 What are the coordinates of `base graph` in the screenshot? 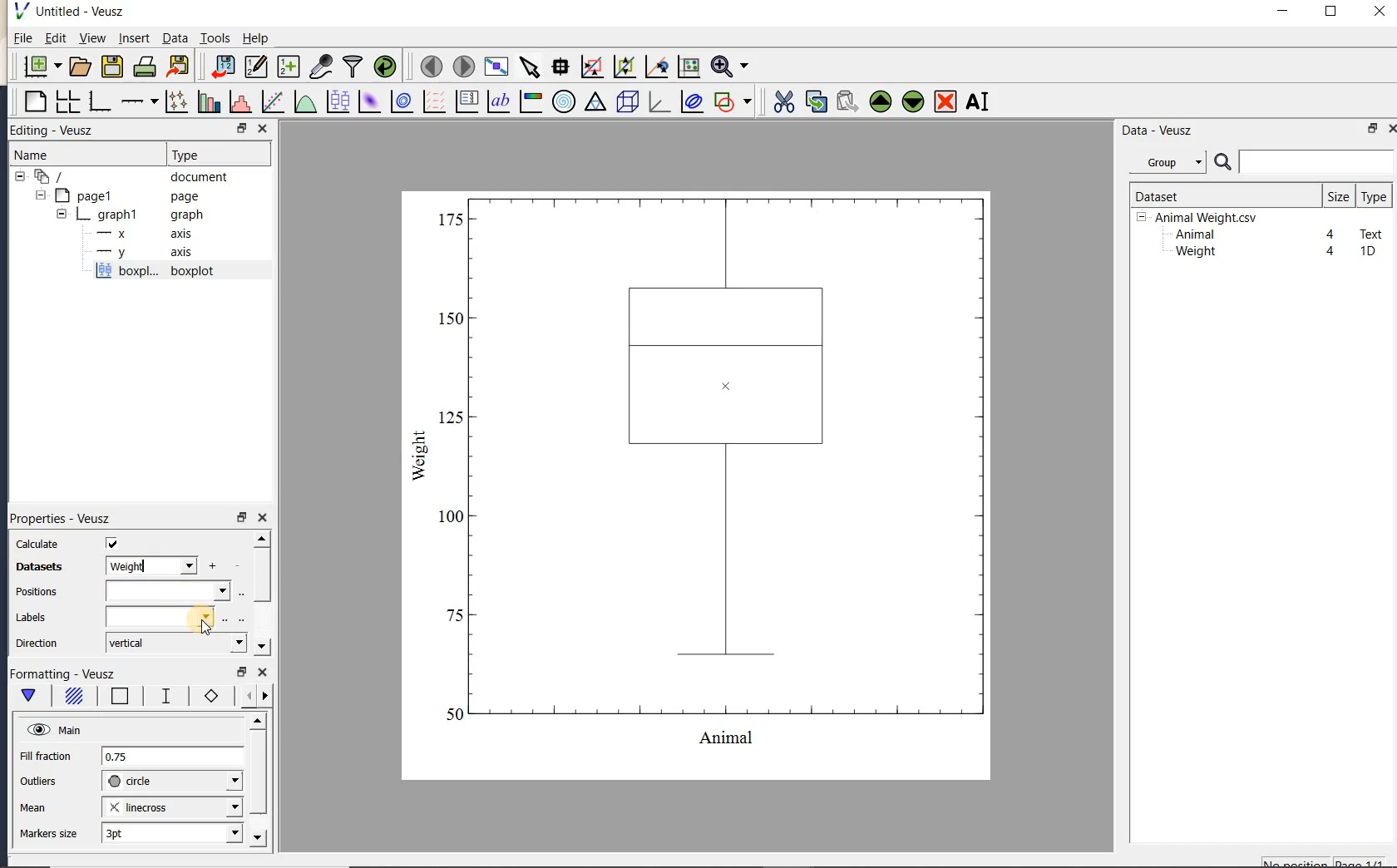 It's located at (98, 101).